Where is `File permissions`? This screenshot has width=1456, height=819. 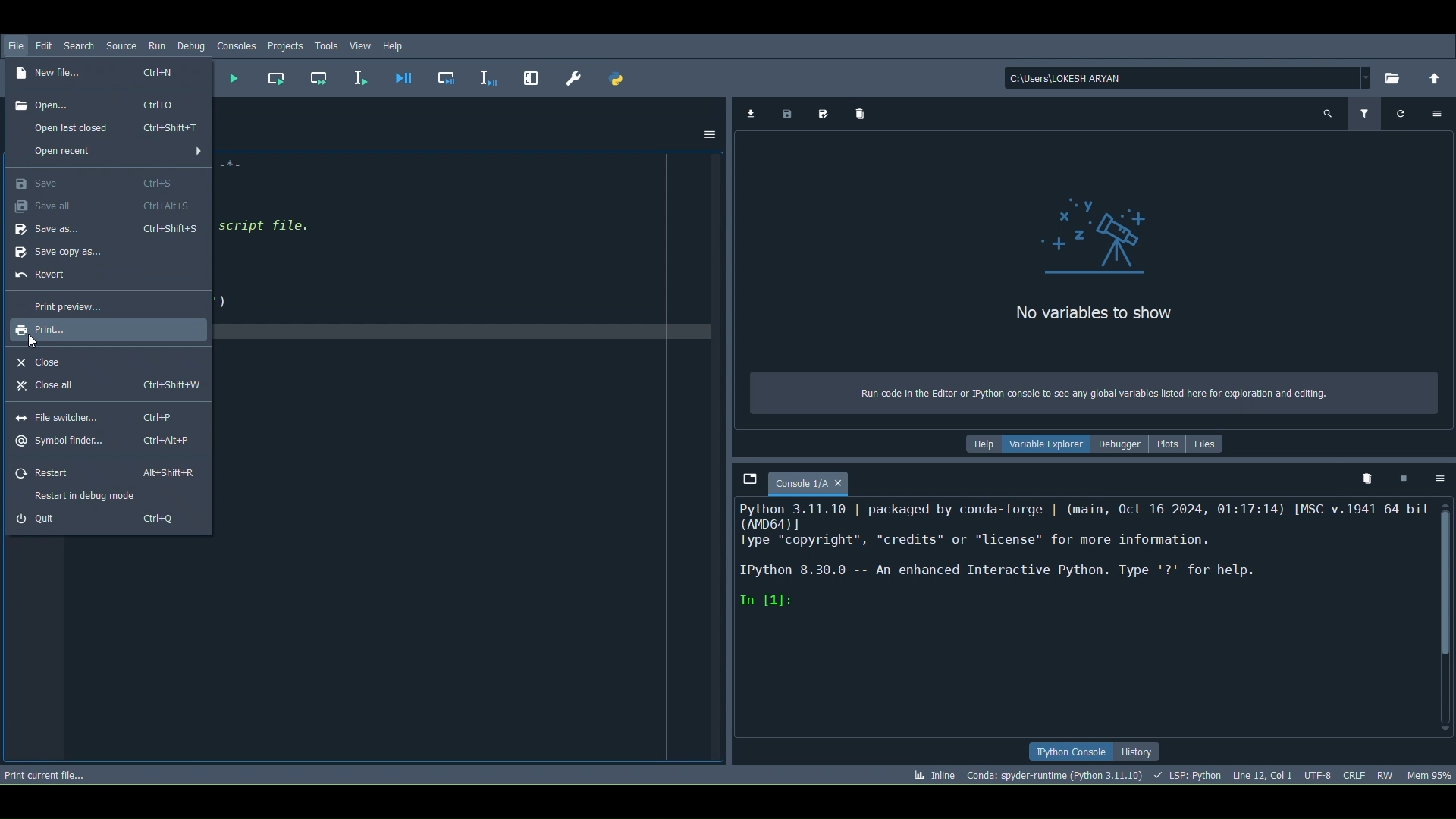 File permissions is located at coordinates (1384, 772).